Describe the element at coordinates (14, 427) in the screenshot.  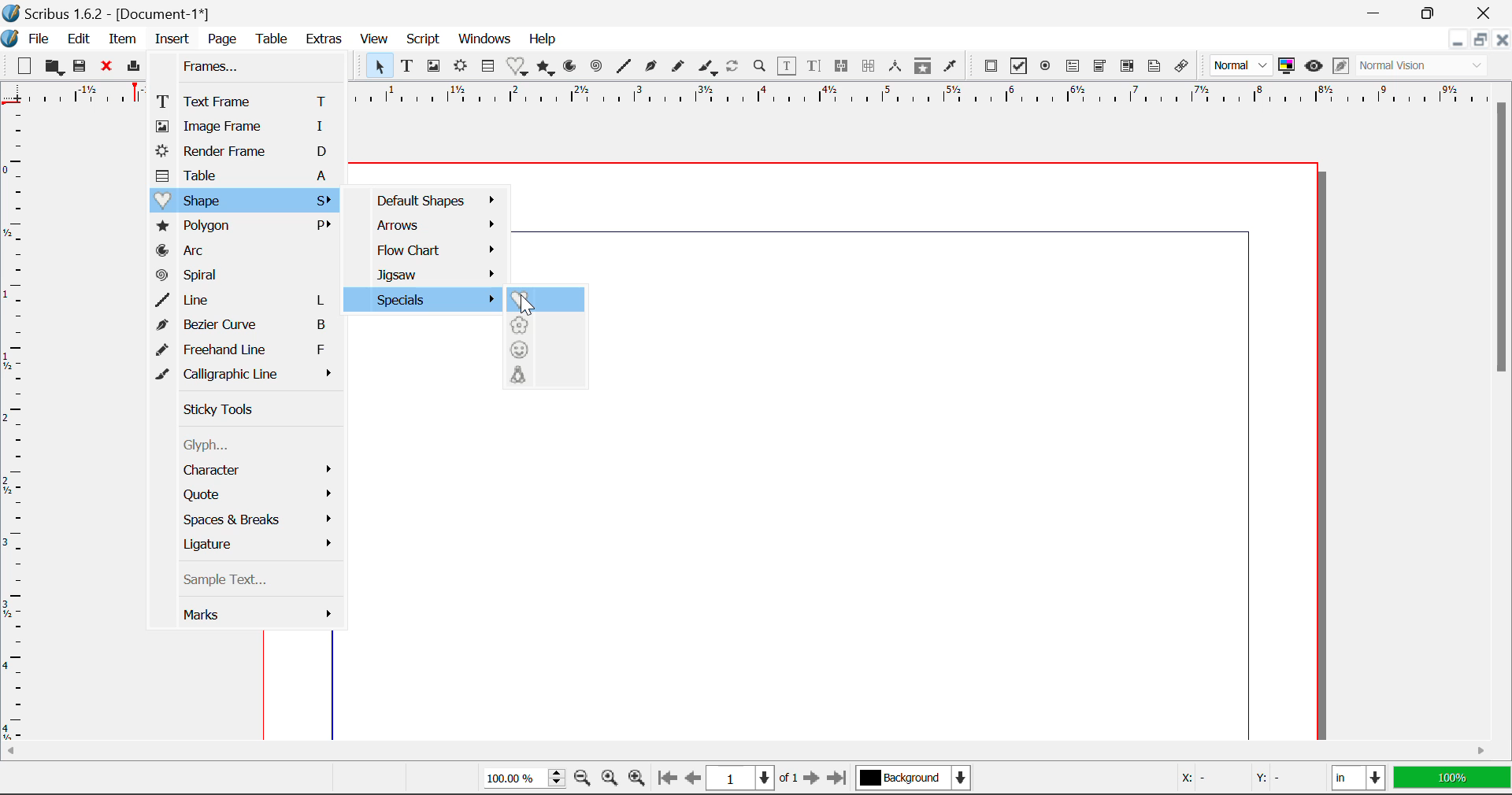
I see `Horizontal Page Margins` at that location.